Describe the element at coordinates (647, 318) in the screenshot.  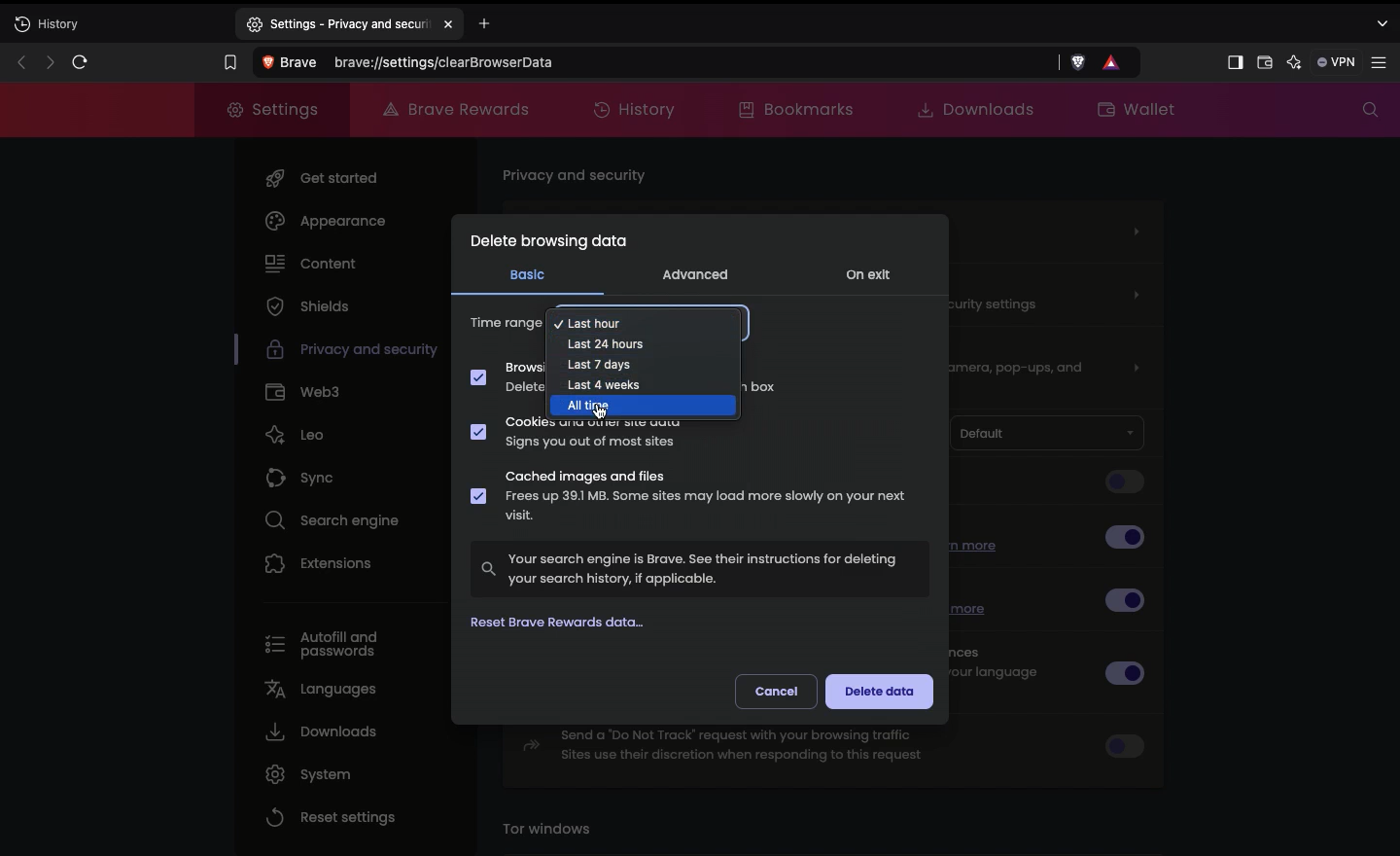
I see `Last hour` at that location.